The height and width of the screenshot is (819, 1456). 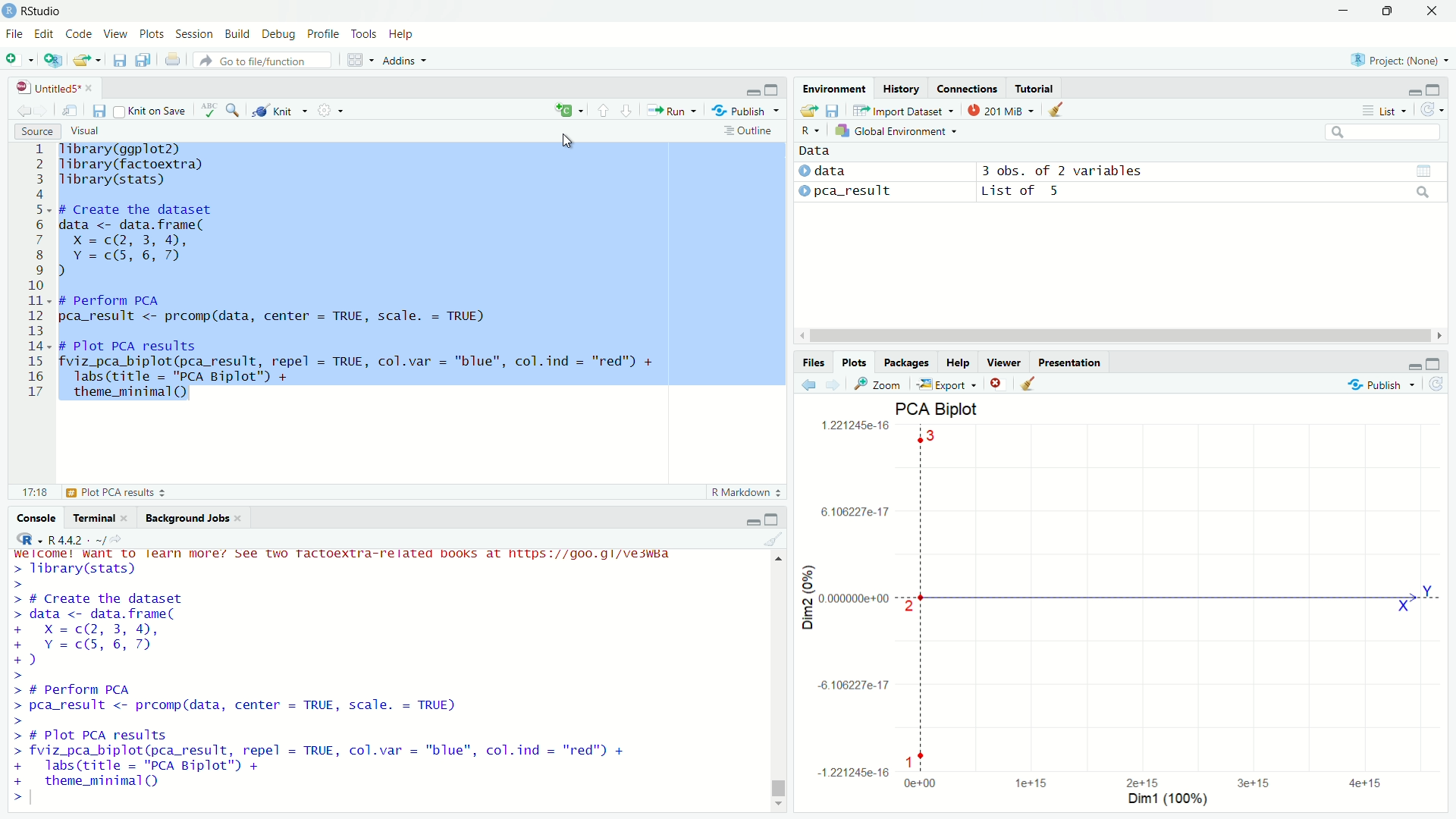 I want to click on go back to previous source, so click(x=21, y=111).